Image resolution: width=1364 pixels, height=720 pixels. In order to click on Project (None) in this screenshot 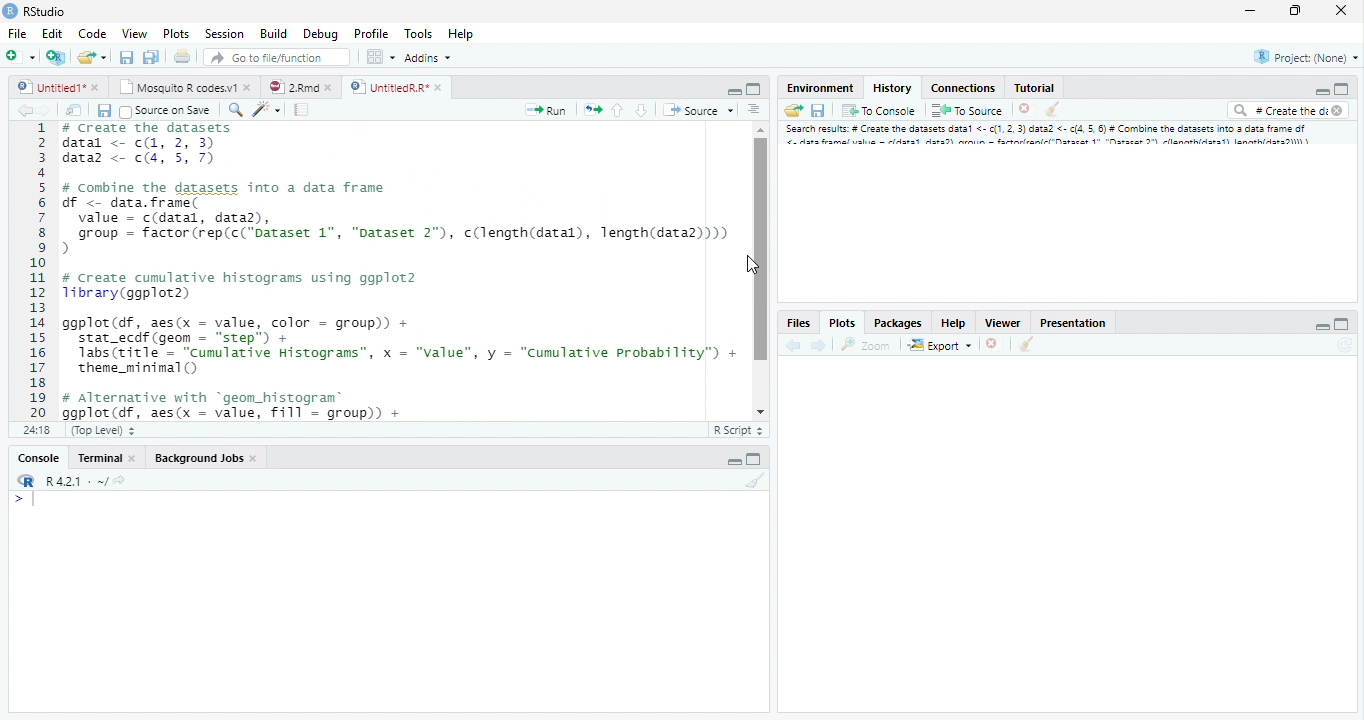, I will do `click(1308, 57)`.